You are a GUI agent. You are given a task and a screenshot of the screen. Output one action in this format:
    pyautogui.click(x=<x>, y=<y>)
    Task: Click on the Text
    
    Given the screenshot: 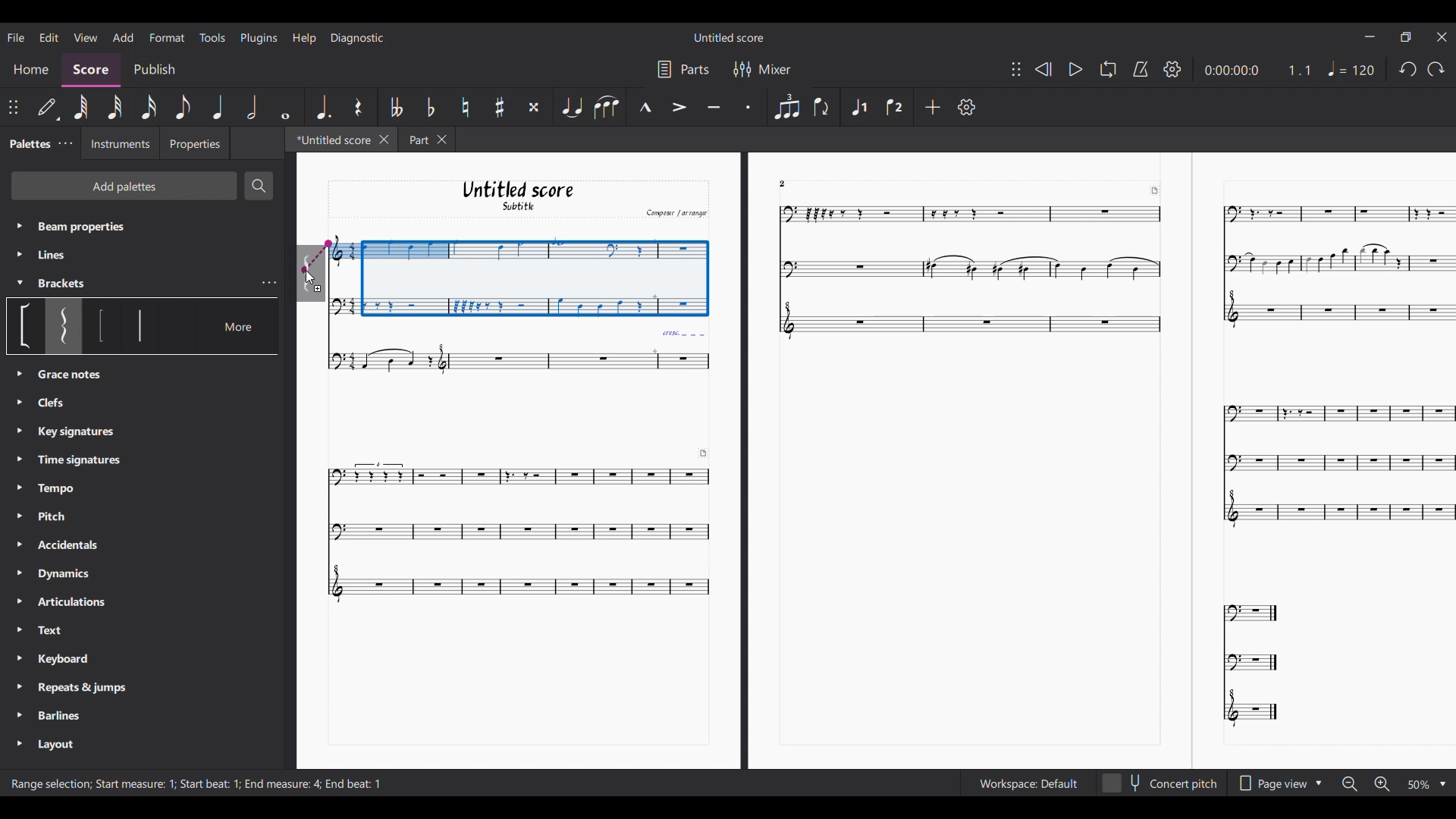 What is the action you would take?
    pyautogui.click(x=74, y=630)
    